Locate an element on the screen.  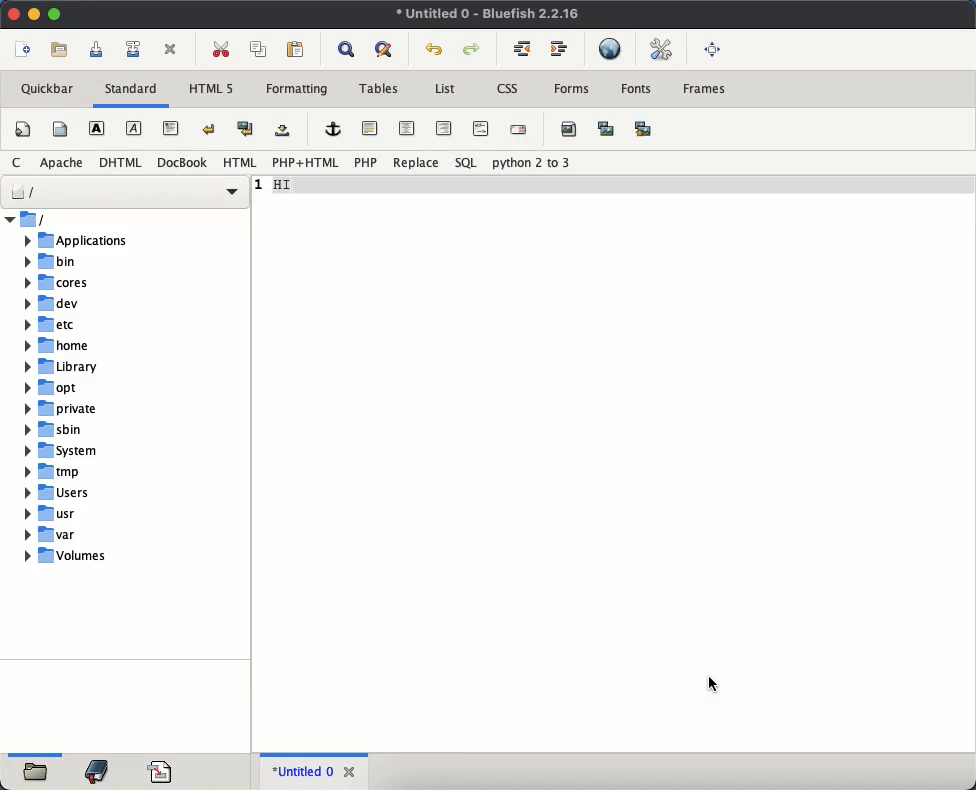
cut is located at coordinates (223, 50).